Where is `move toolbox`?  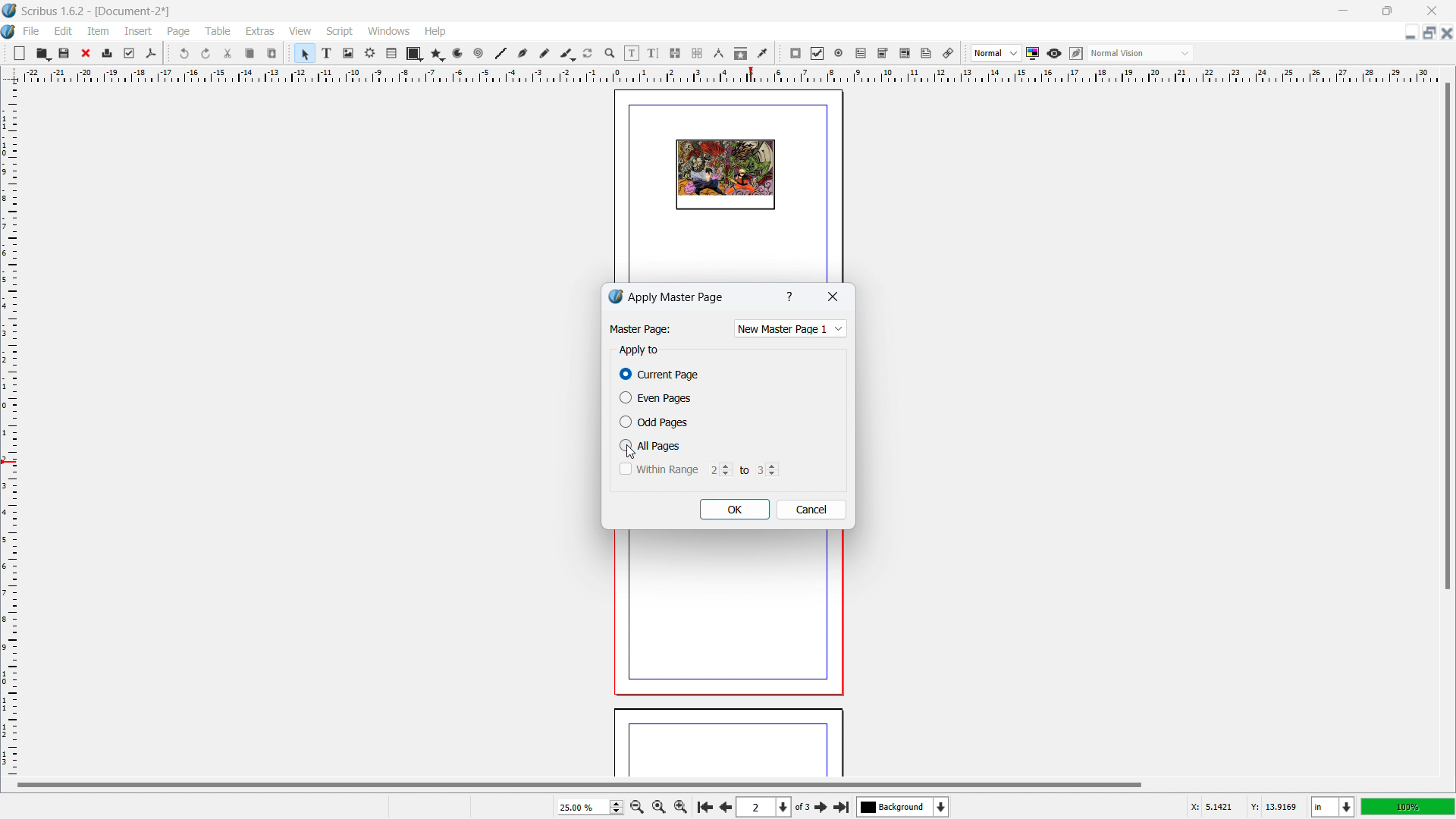 move toolbox is located at coordinates (965, 54).